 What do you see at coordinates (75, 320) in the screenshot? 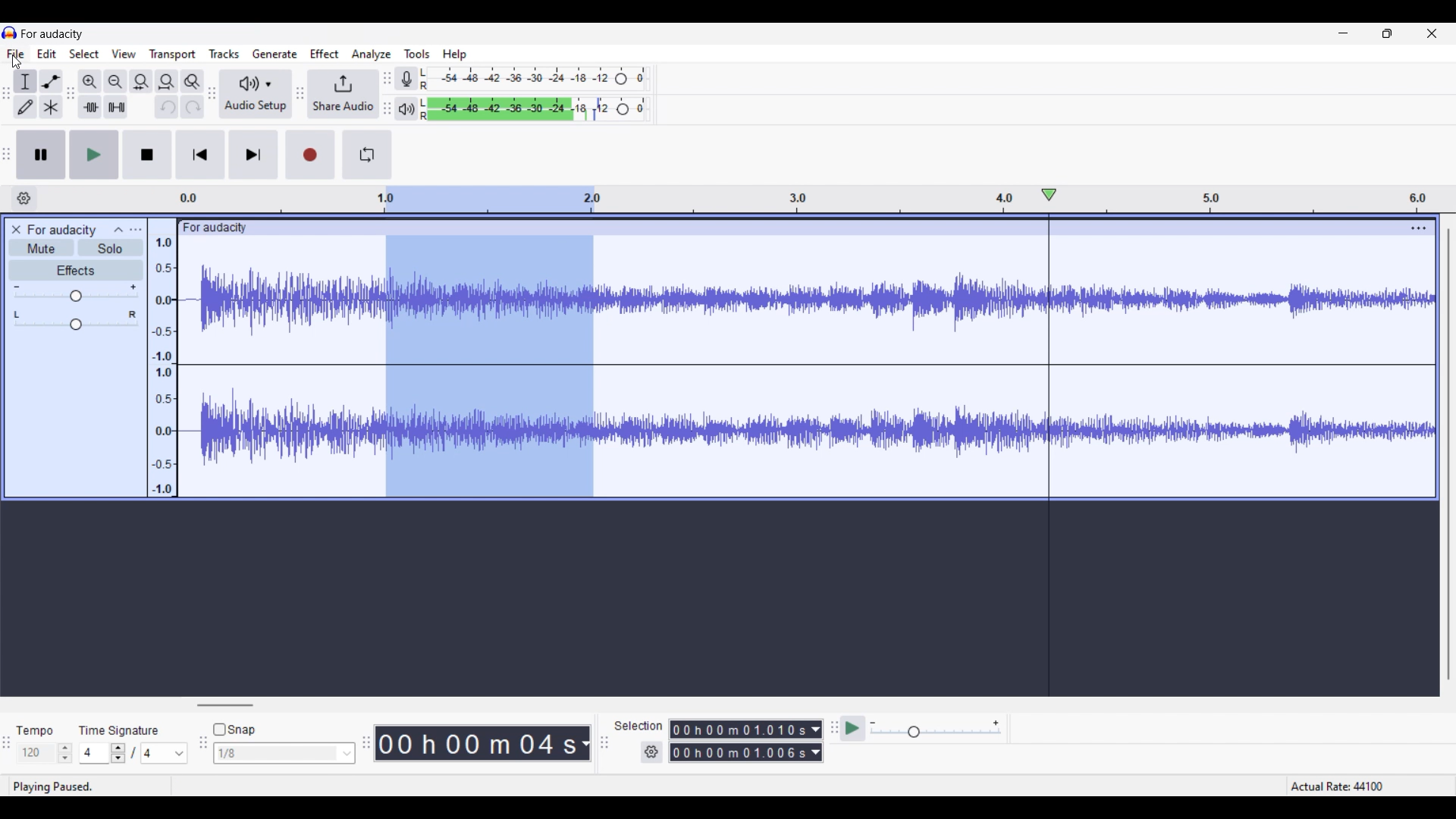
I see `Pan scale` at bounding box center [75, 320].